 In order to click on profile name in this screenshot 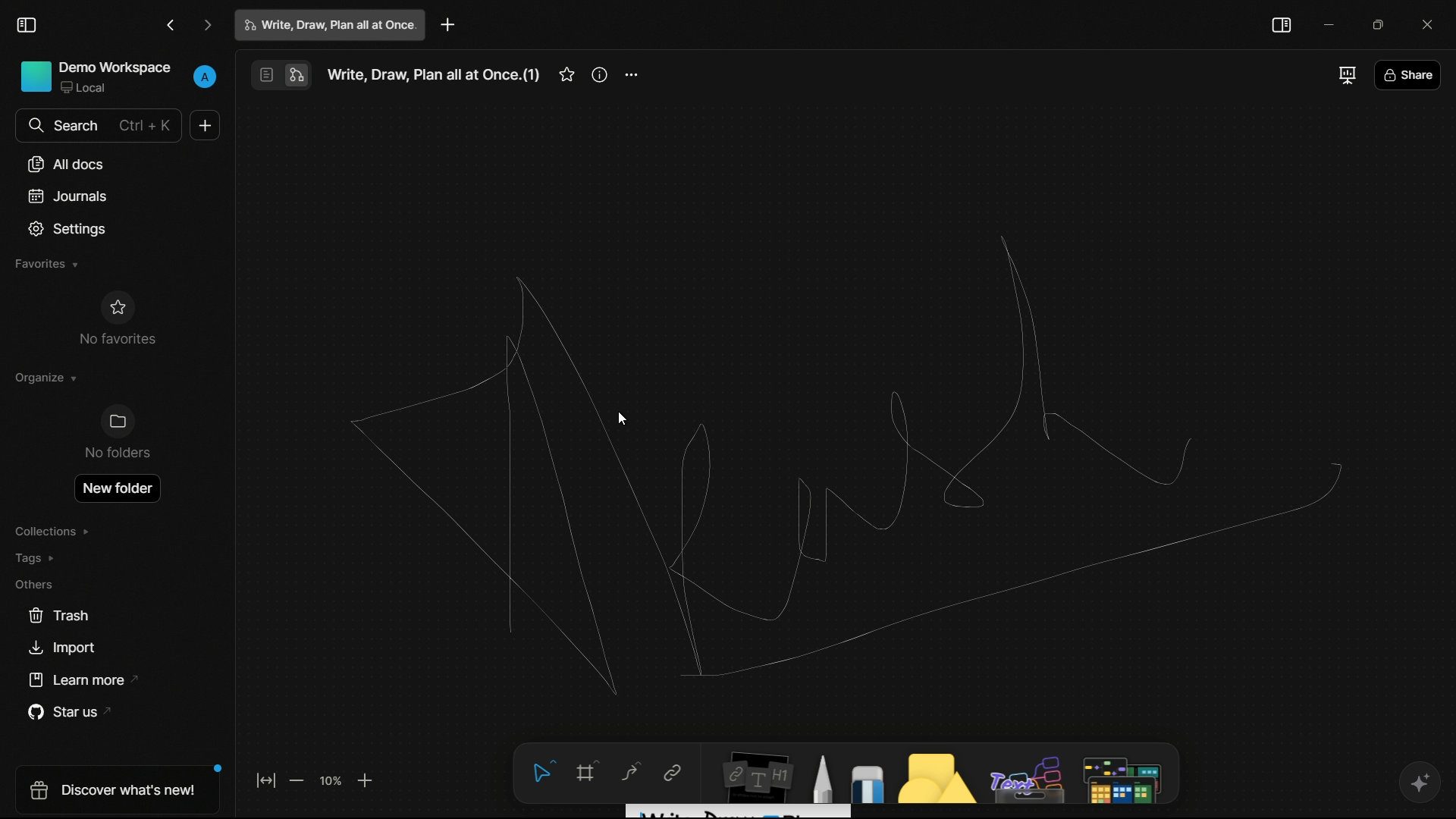, I will do `click(206, 78)`.